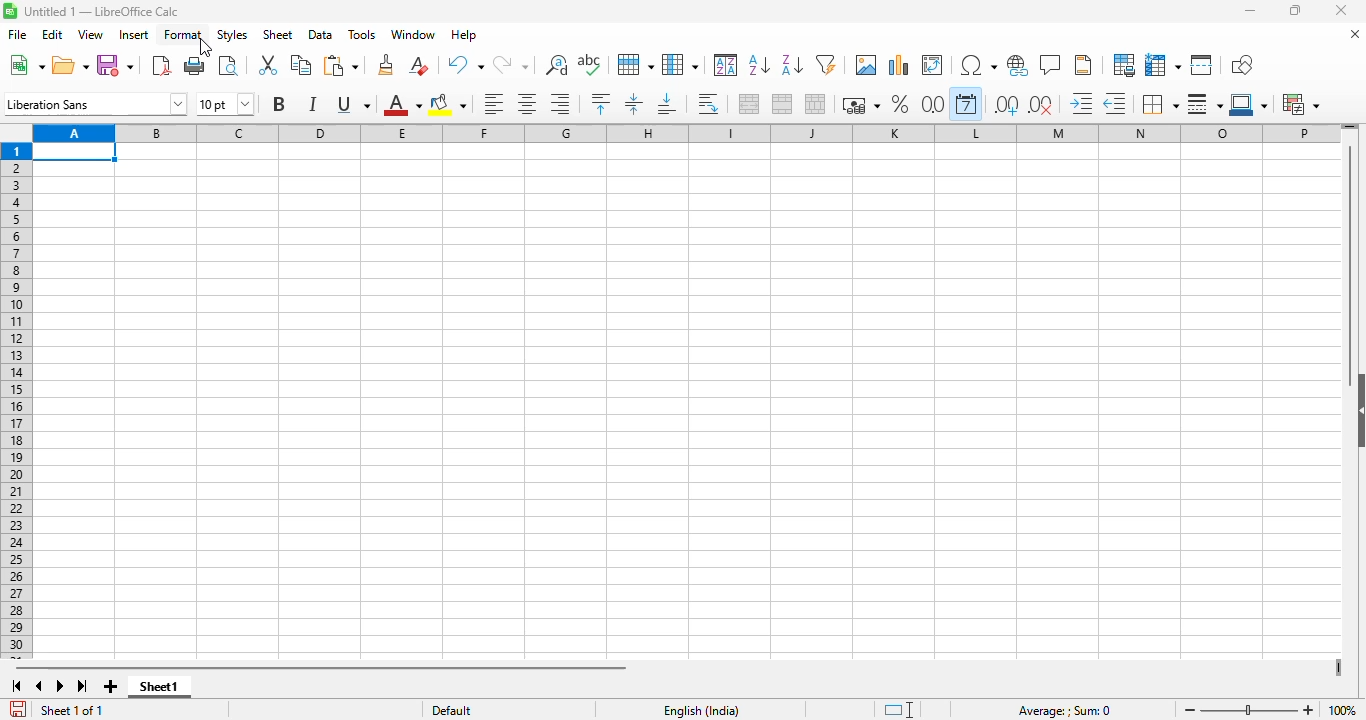 This screenshot has height=720, width=1366. I want to click on scroll to last sheet, so click(83, 686).